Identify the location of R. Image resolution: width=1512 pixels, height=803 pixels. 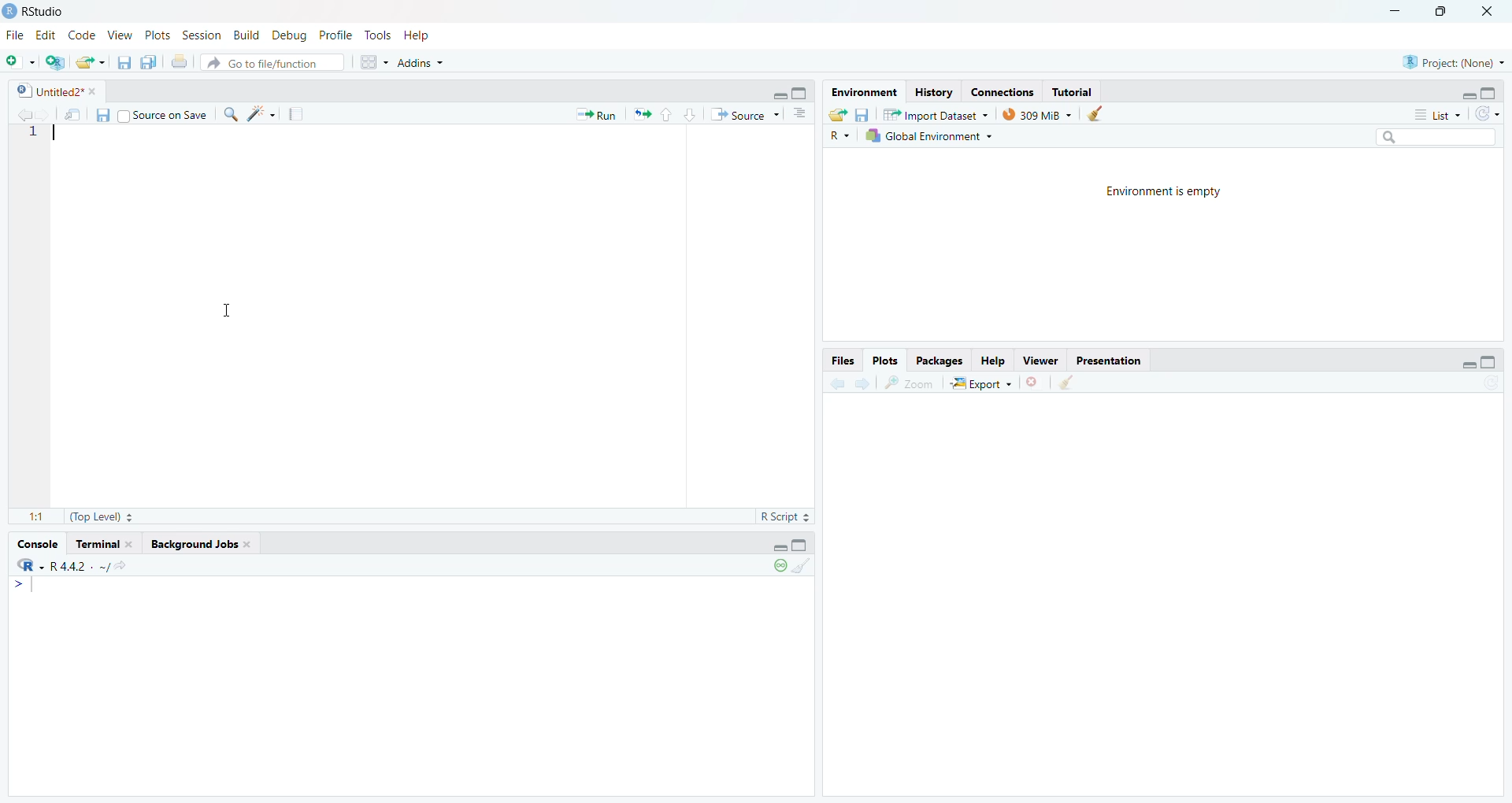
(838, 135).